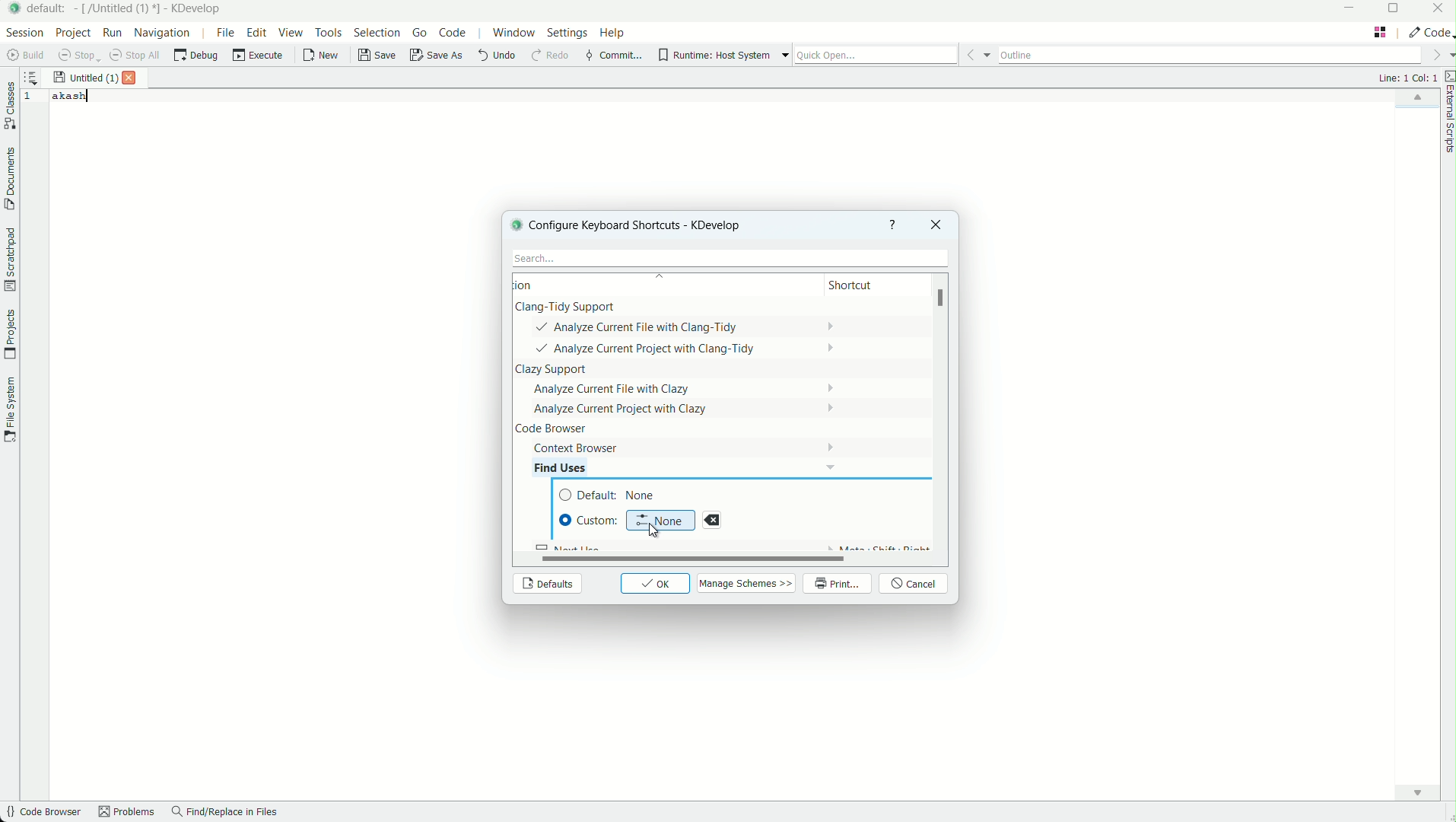 The height and width of the screenshot is (822, 1456). I want to click on external scripts, so click(1447, 114).